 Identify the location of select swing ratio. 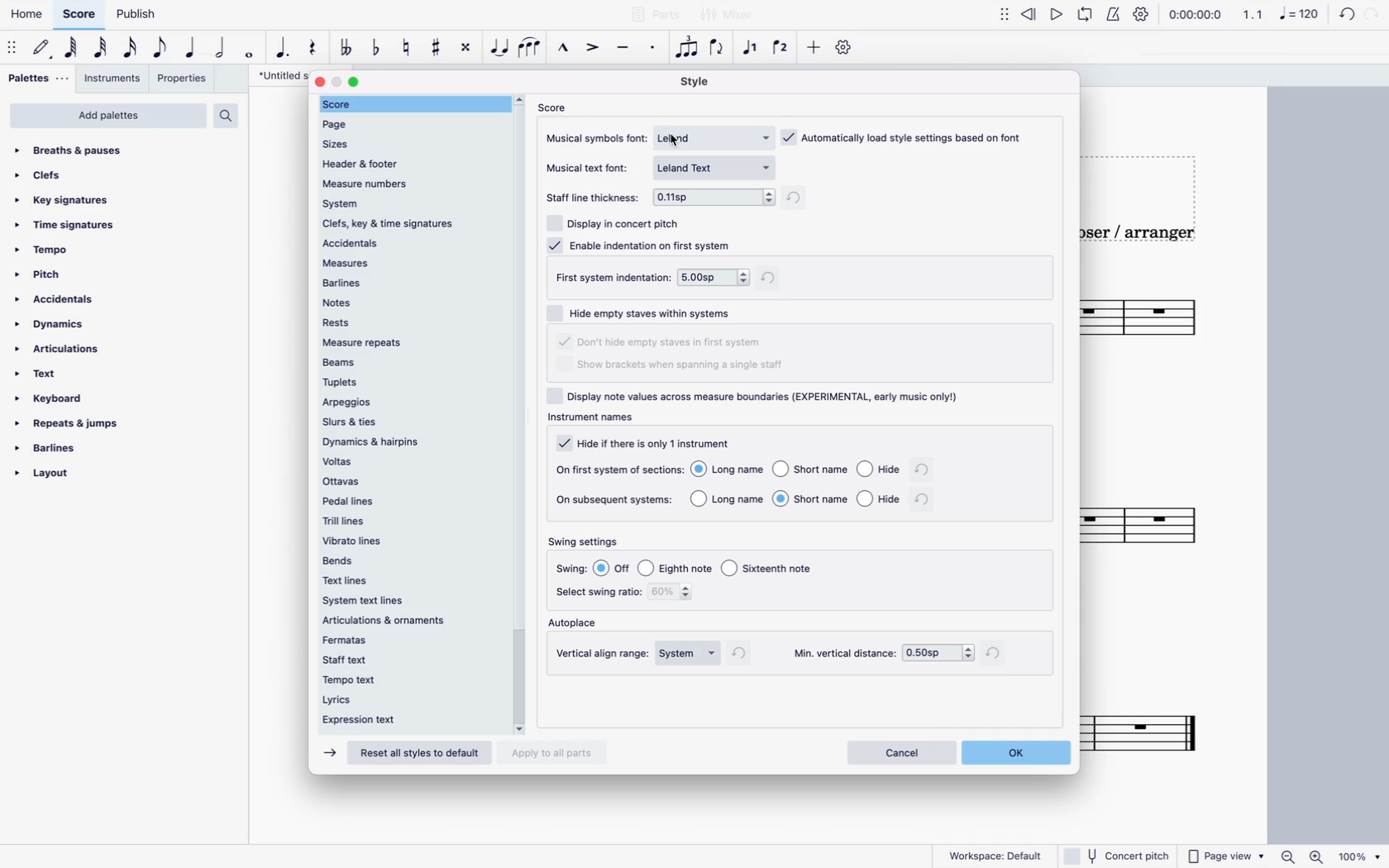
(597, 592).